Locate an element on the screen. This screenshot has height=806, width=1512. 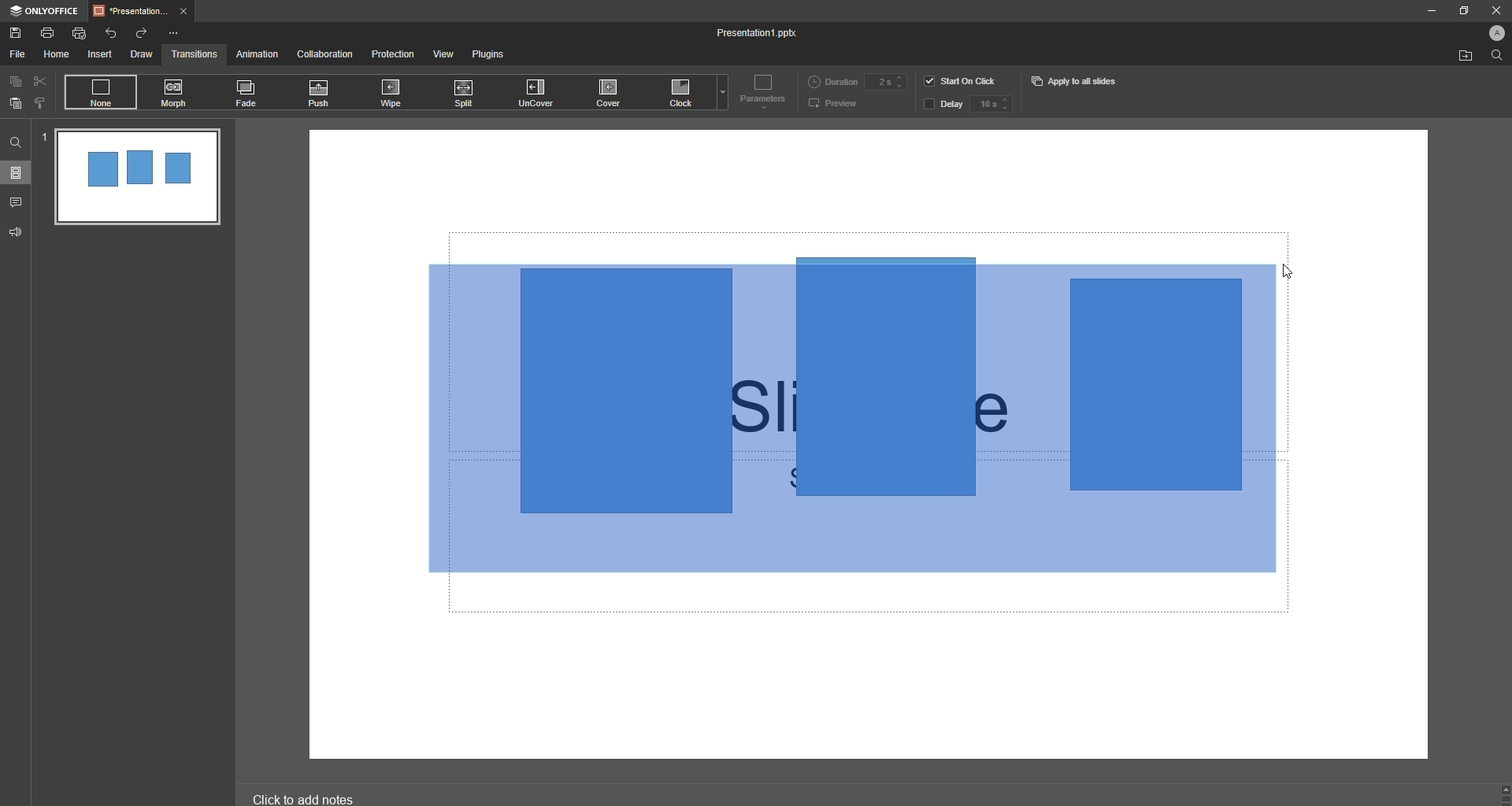
Presentation 1 is located at coordinates (759, 33).